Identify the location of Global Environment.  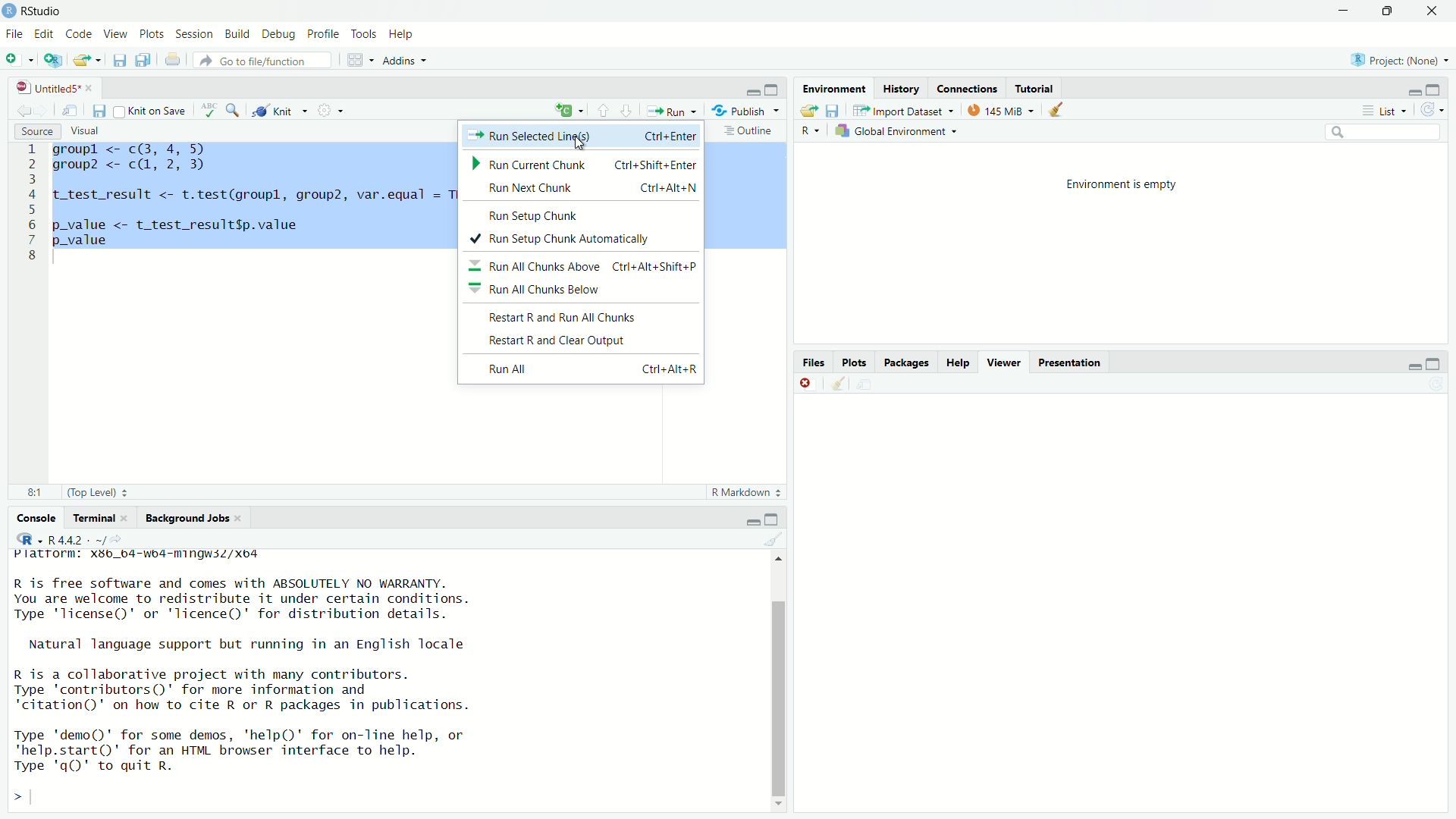
(898, 131).